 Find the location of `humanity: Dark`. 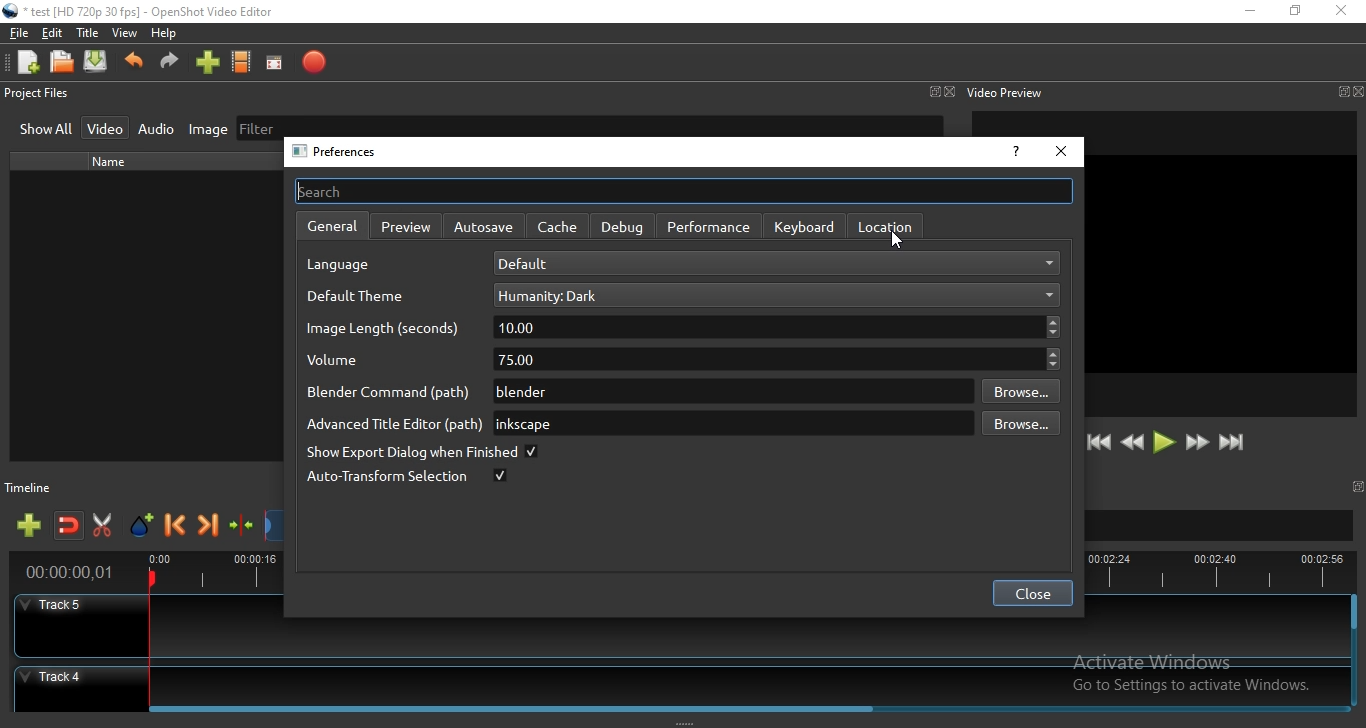

humanity: Dark is located at coordinates (773, 295).